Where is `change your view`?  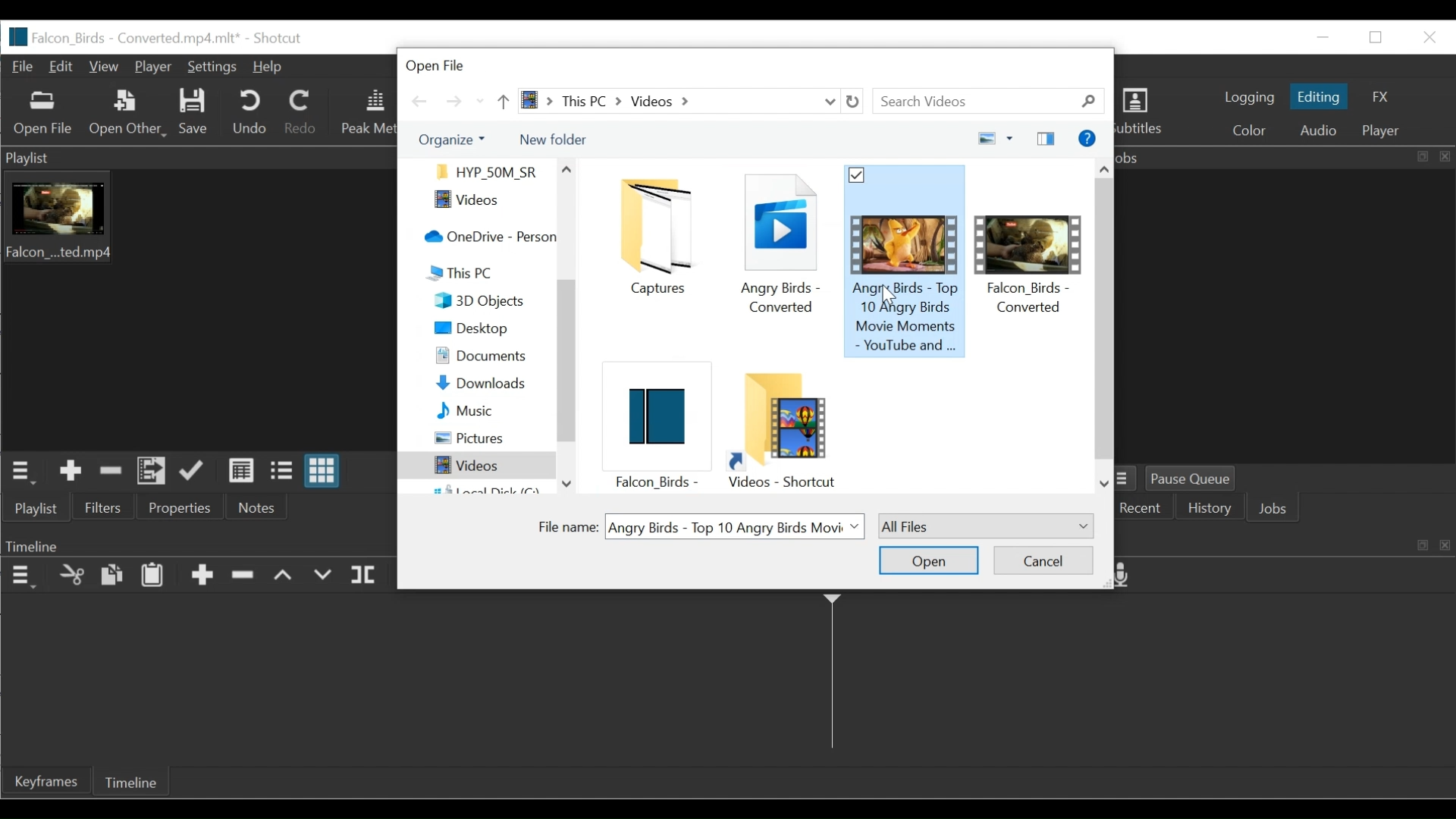 change your view is located at coordinates (982, 139).